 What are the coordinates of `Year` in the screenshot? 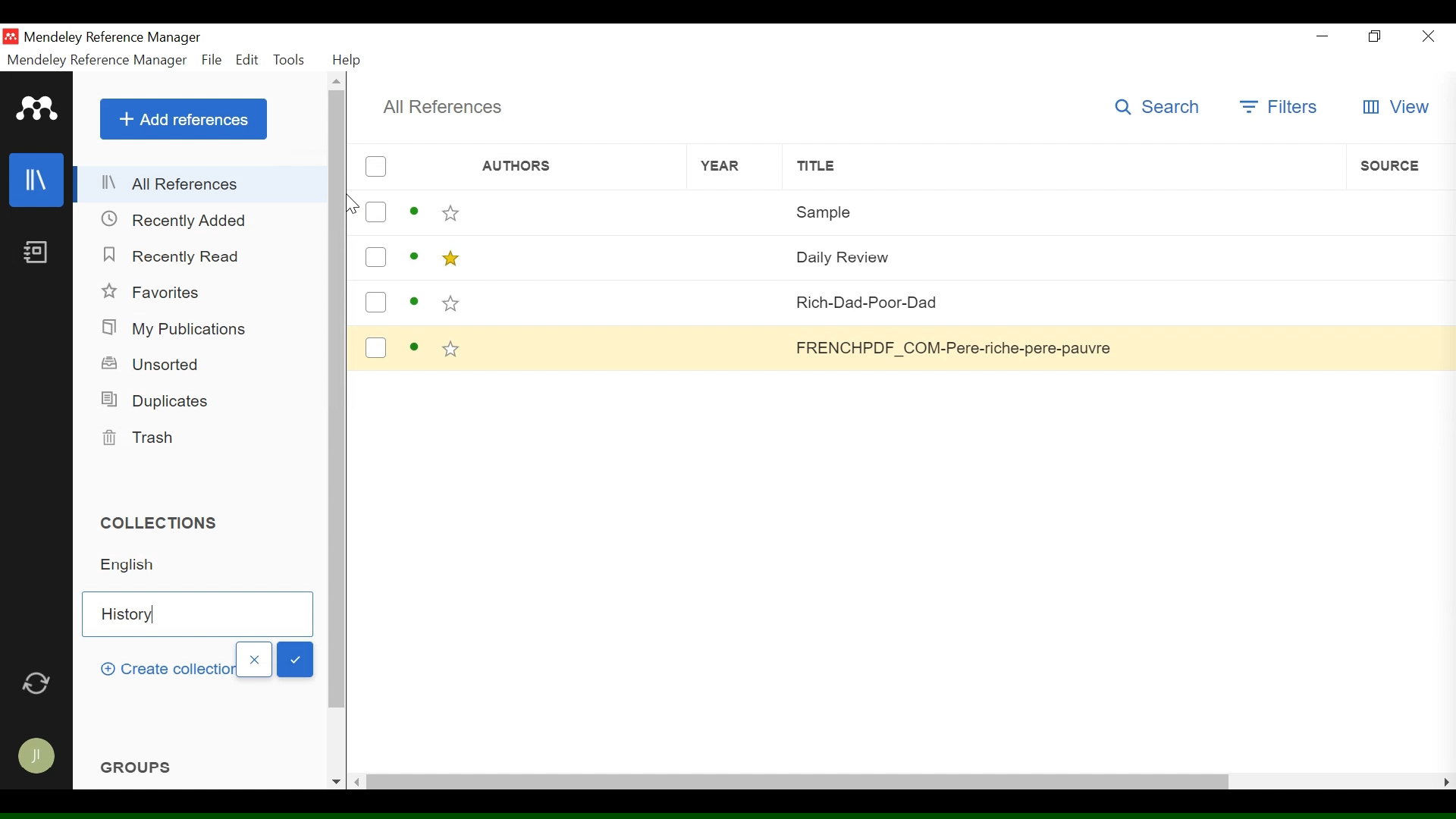 It's located at (738, 349).